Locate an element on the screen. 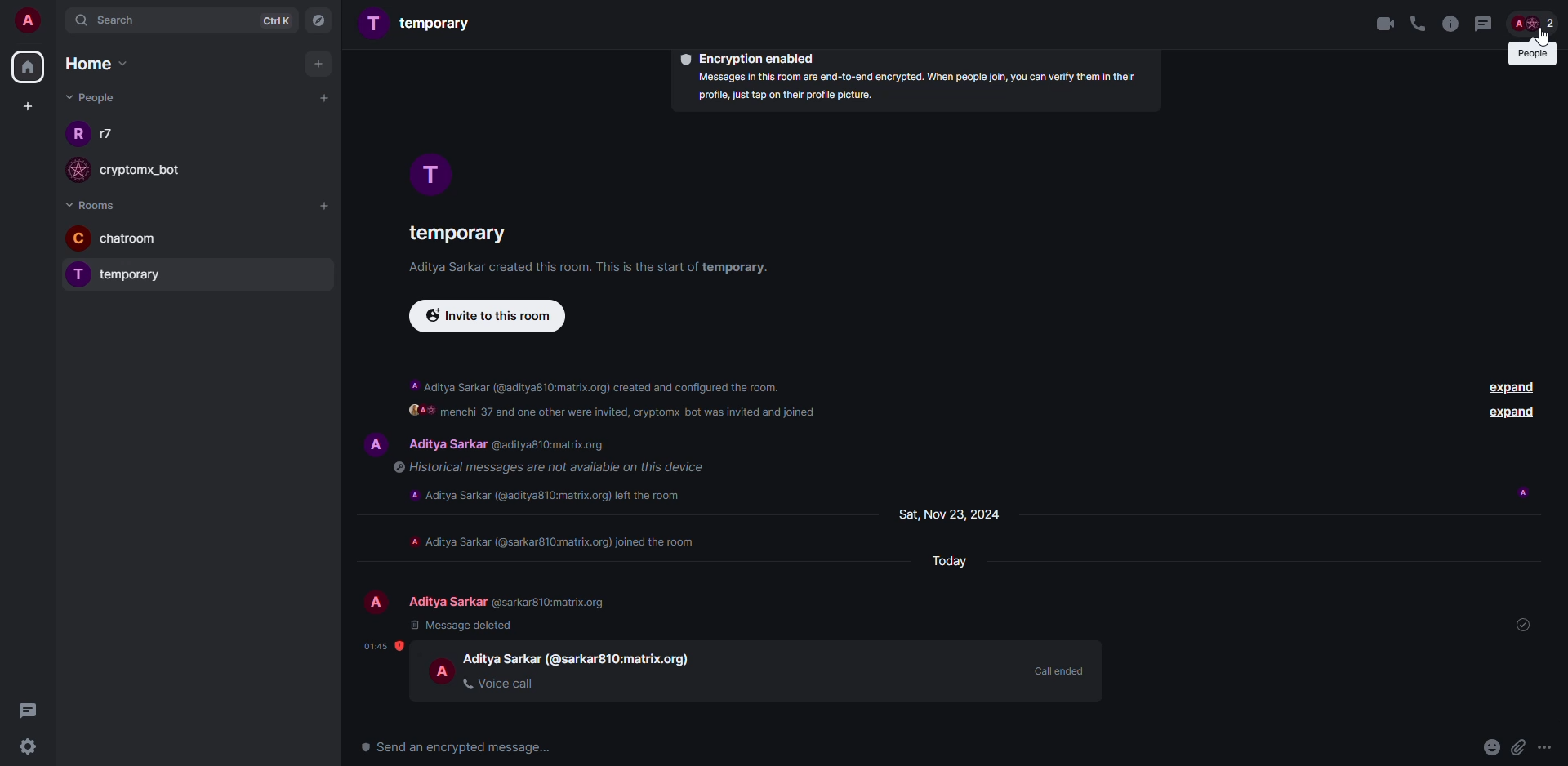 This screenshot has height=766, width=1568. attach is located at coordinates (1517, 747).